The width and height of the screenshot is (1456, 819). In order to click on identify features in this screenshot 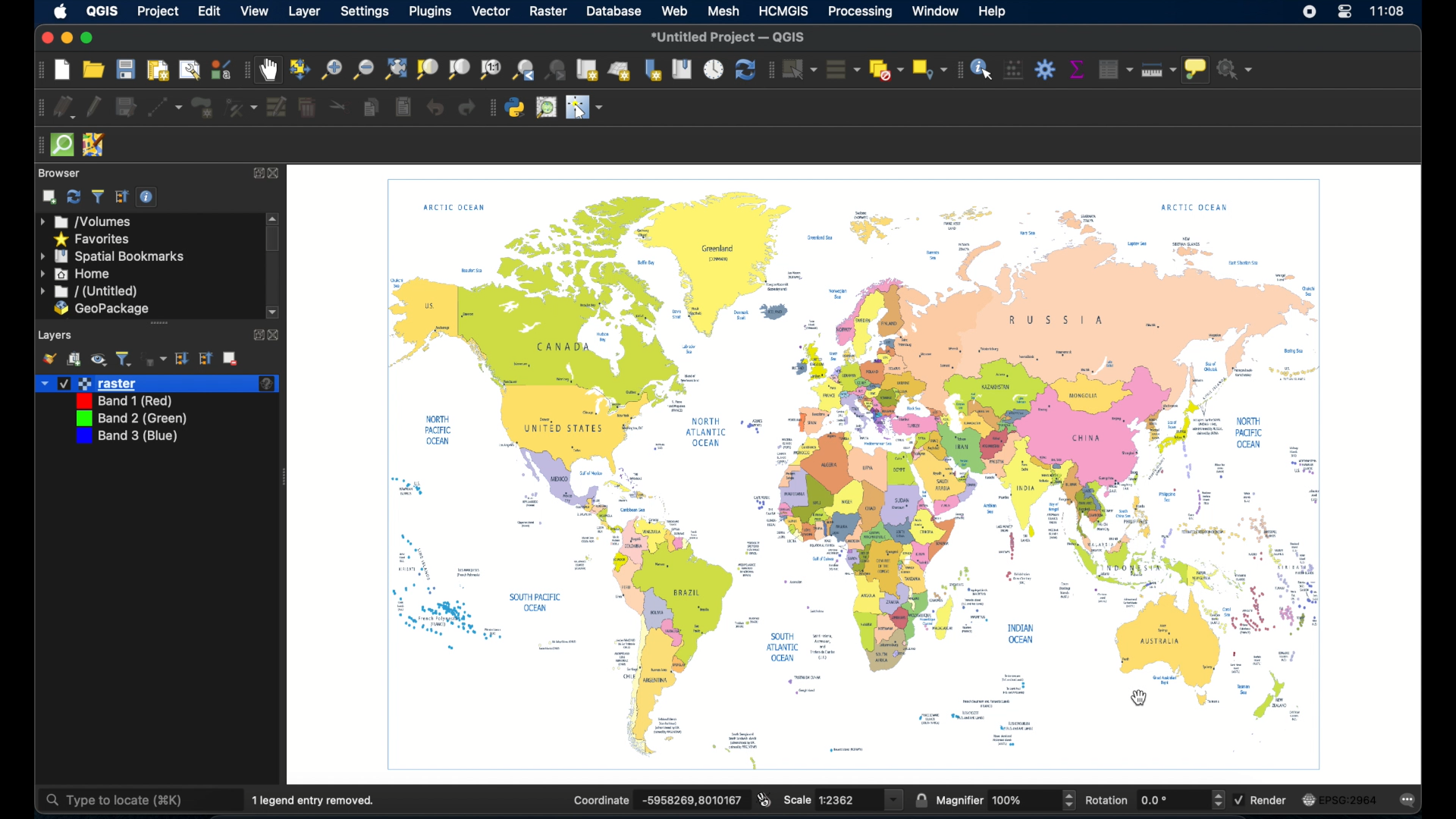, I will do `click(982, 68)`.